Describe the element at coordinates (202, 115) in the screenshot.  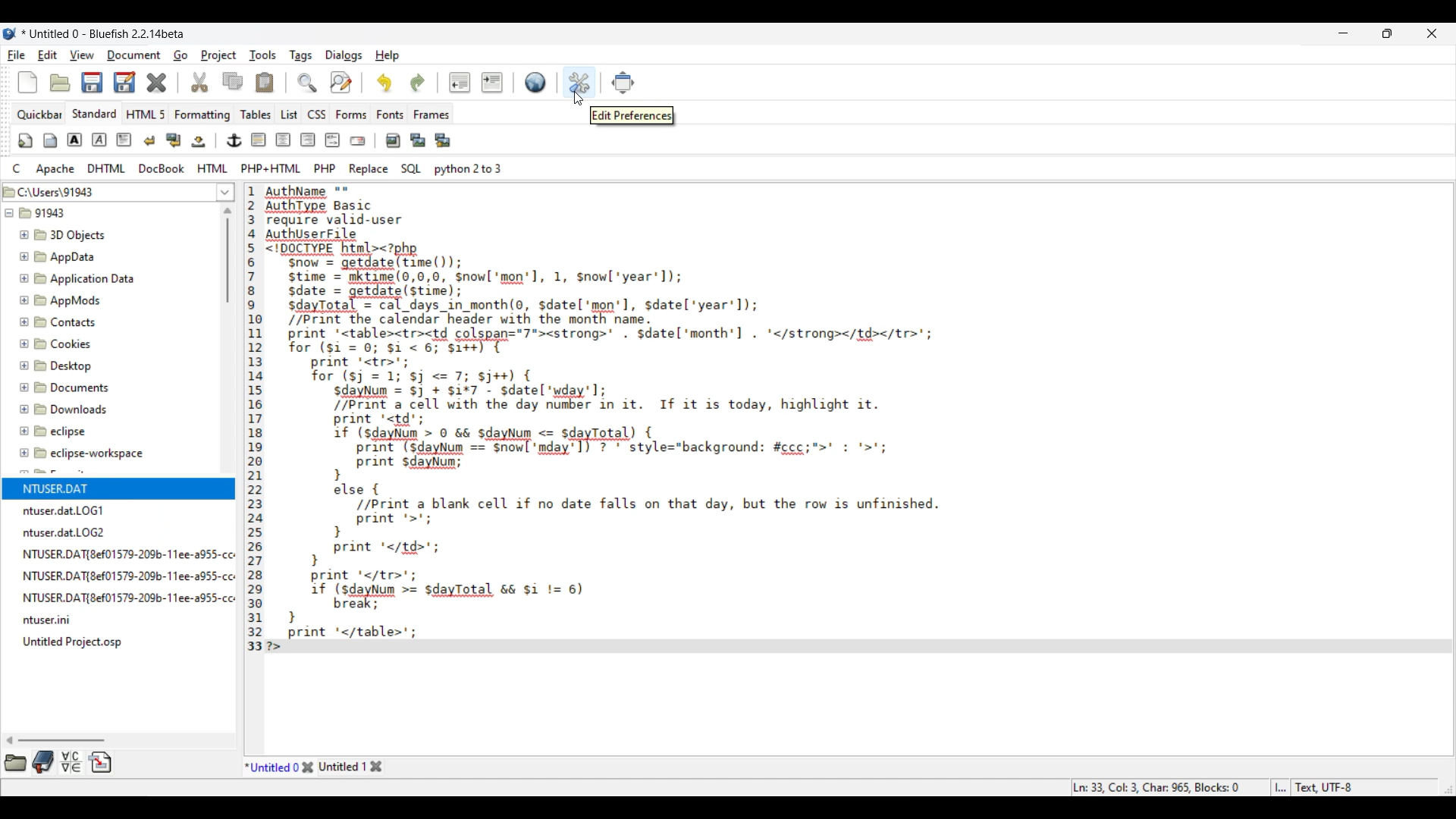
I see `Formatting menu` at that location.